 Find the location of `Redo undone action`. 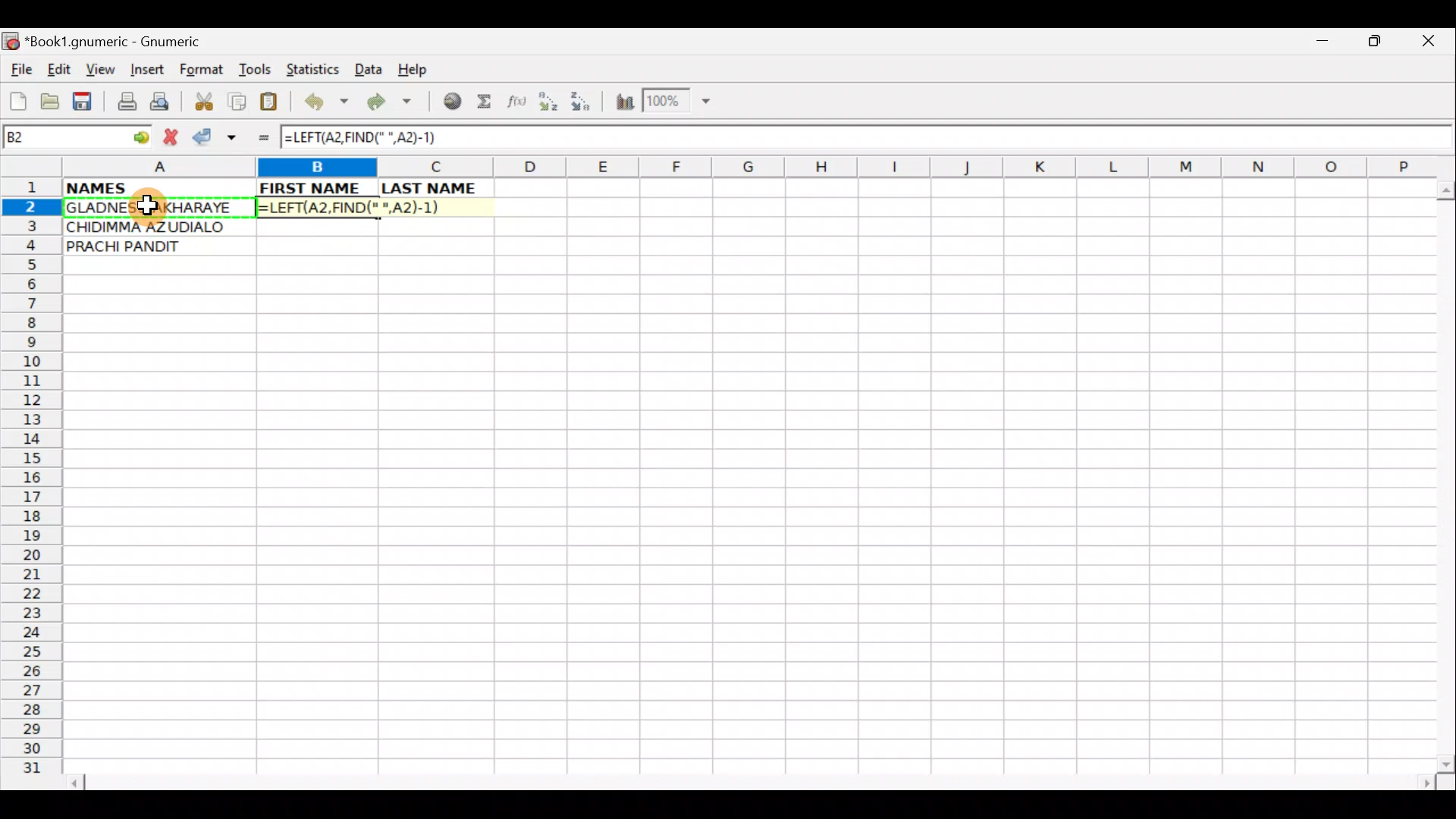

Redo undone action is located at coordinates (393, 104).